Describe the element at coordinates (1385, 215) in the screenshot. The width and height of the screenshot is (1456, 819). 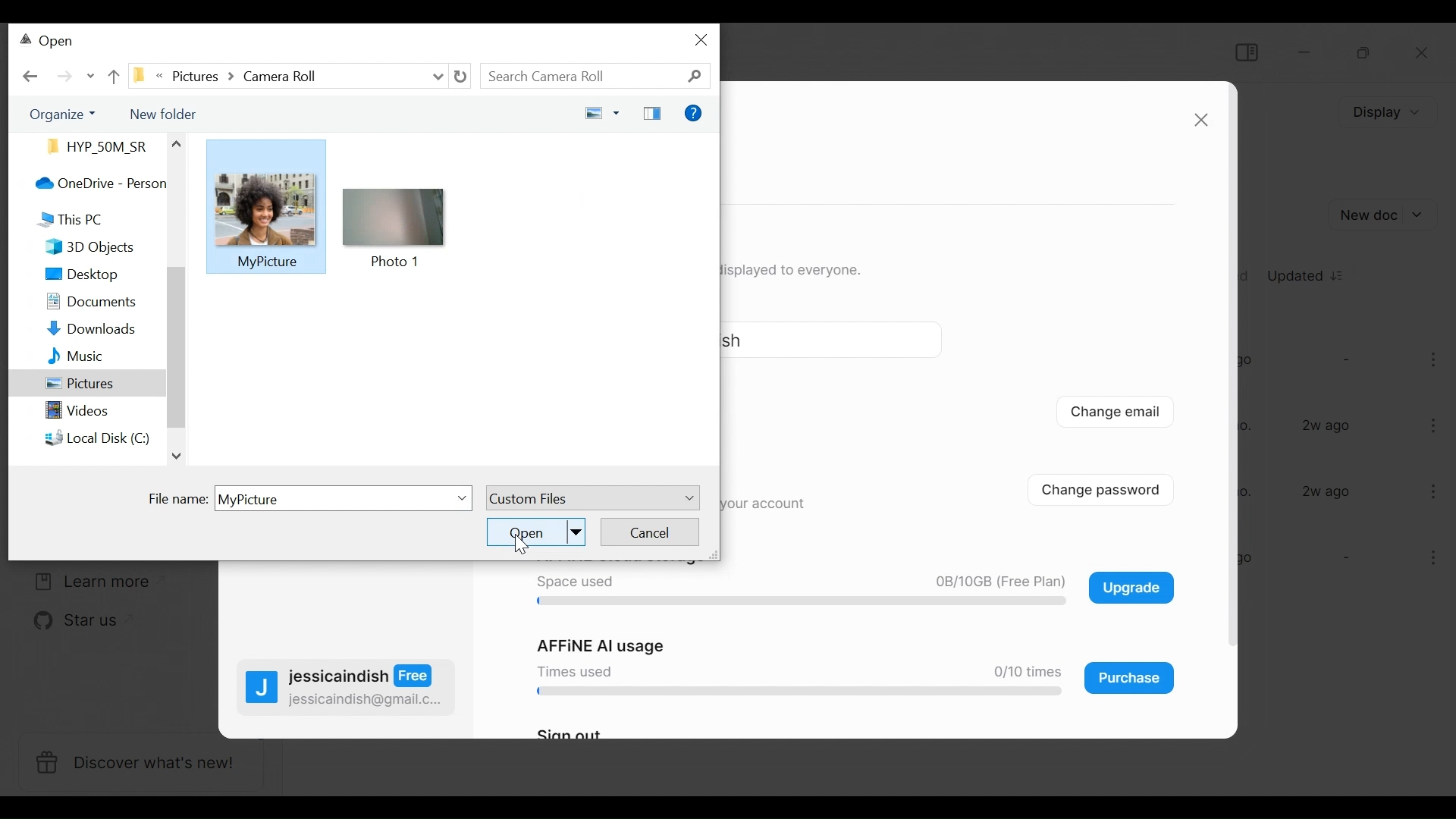
I see `Add New document` at that location.